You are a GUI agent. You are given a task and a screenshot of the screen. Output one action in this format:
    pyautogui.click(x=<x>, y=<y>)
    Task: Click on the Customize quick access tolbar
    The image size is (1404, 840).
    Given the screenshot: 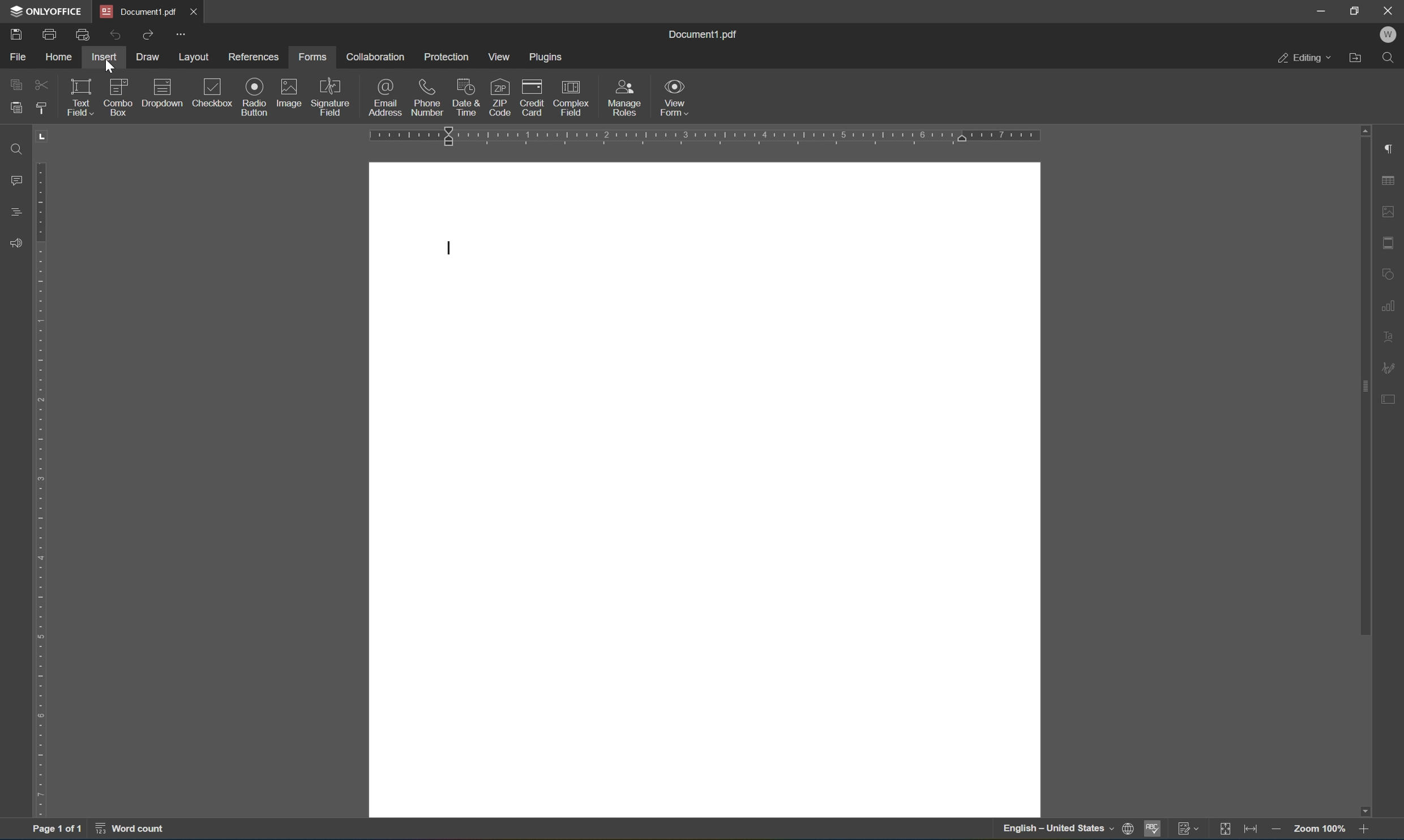 What is the action you would take?
    pyautogui.click(x=182, y=36)
    